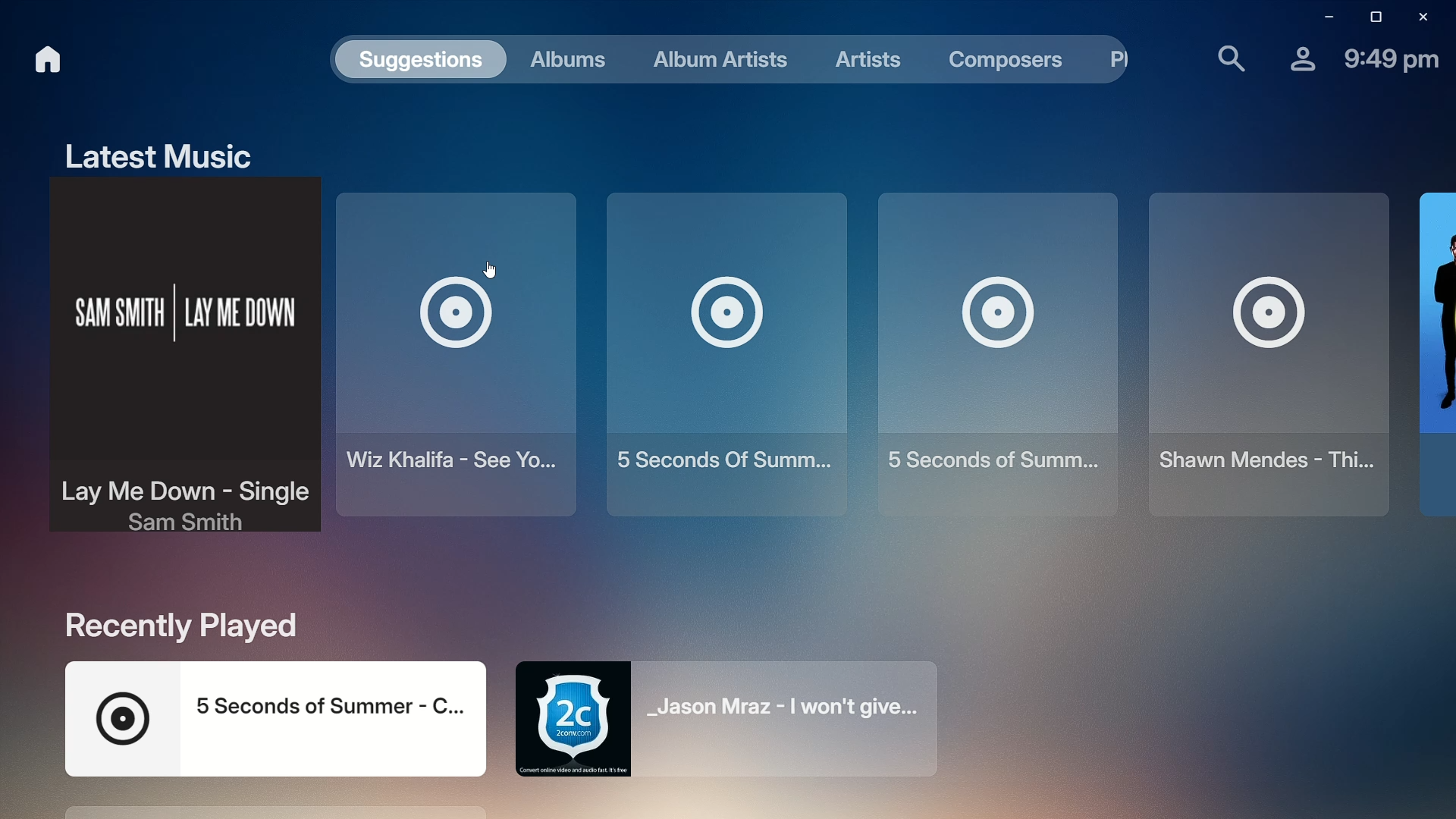 This screenshot has width=1456, height=819. I want to click on Album Artists, so click(711, 60).